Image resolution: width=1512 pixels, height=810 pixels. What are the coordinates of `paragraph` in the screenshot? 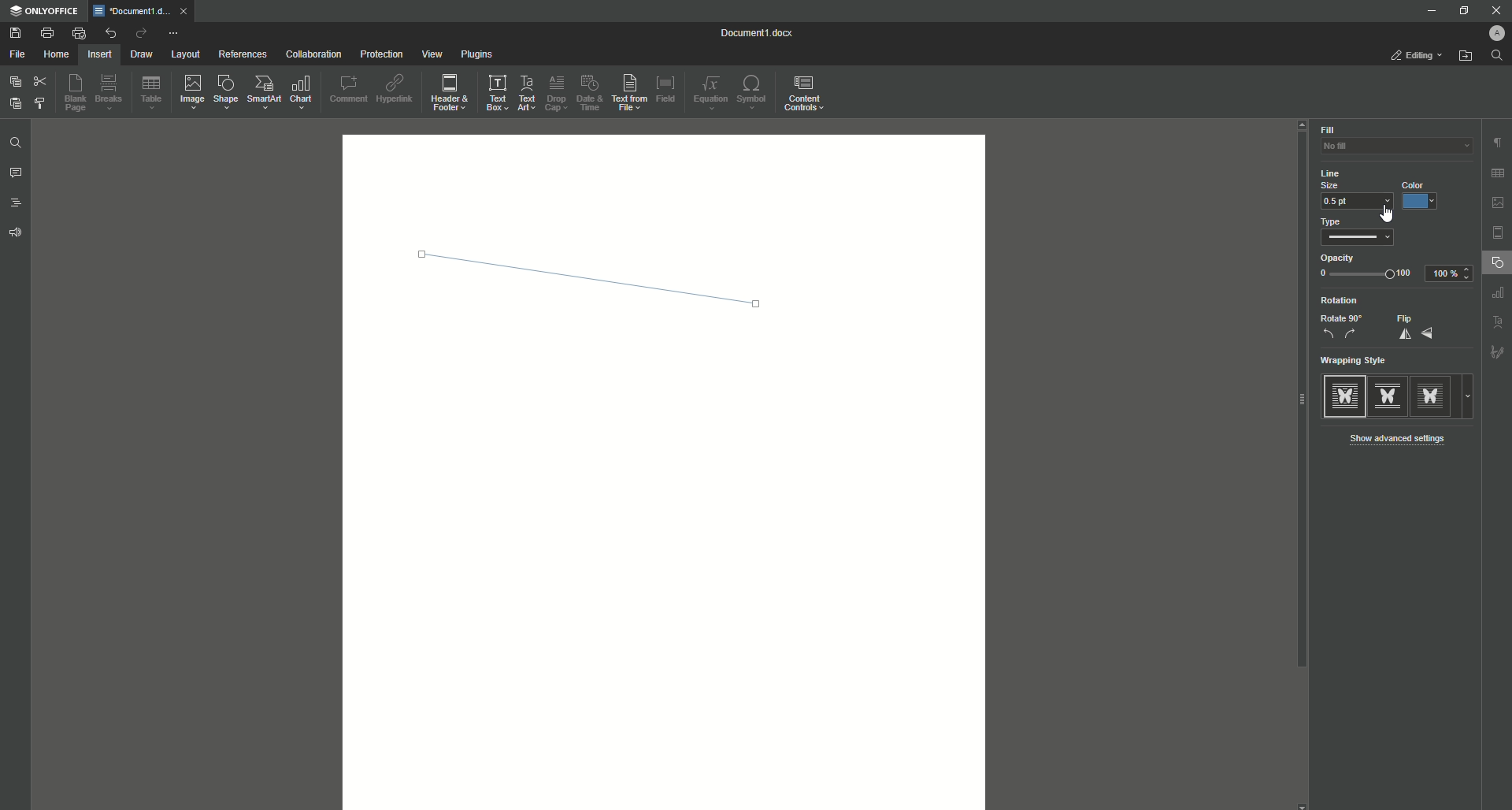 It's located at (1496, 138).